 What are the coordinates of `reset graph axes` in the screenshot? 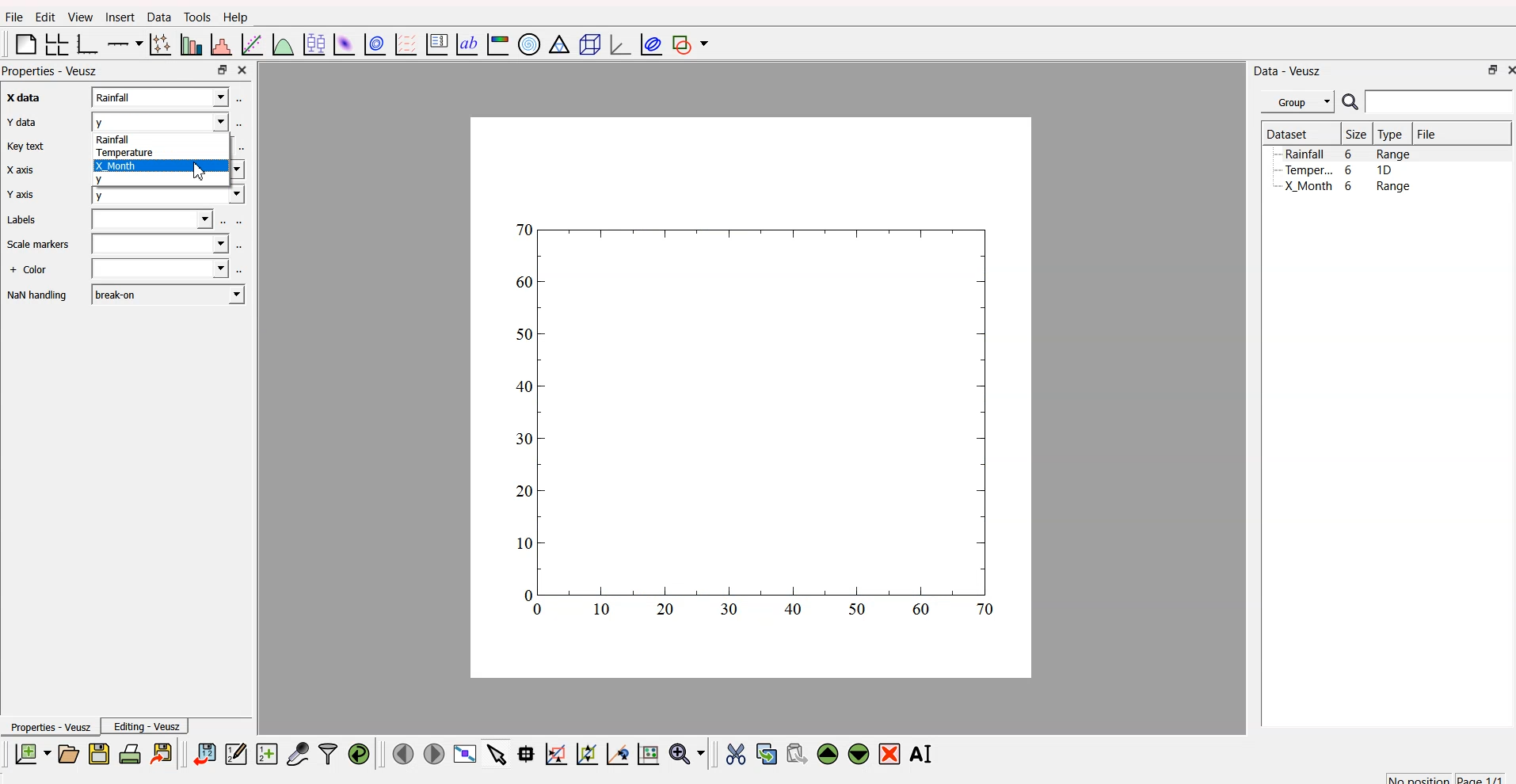 It's located at (651, 752).